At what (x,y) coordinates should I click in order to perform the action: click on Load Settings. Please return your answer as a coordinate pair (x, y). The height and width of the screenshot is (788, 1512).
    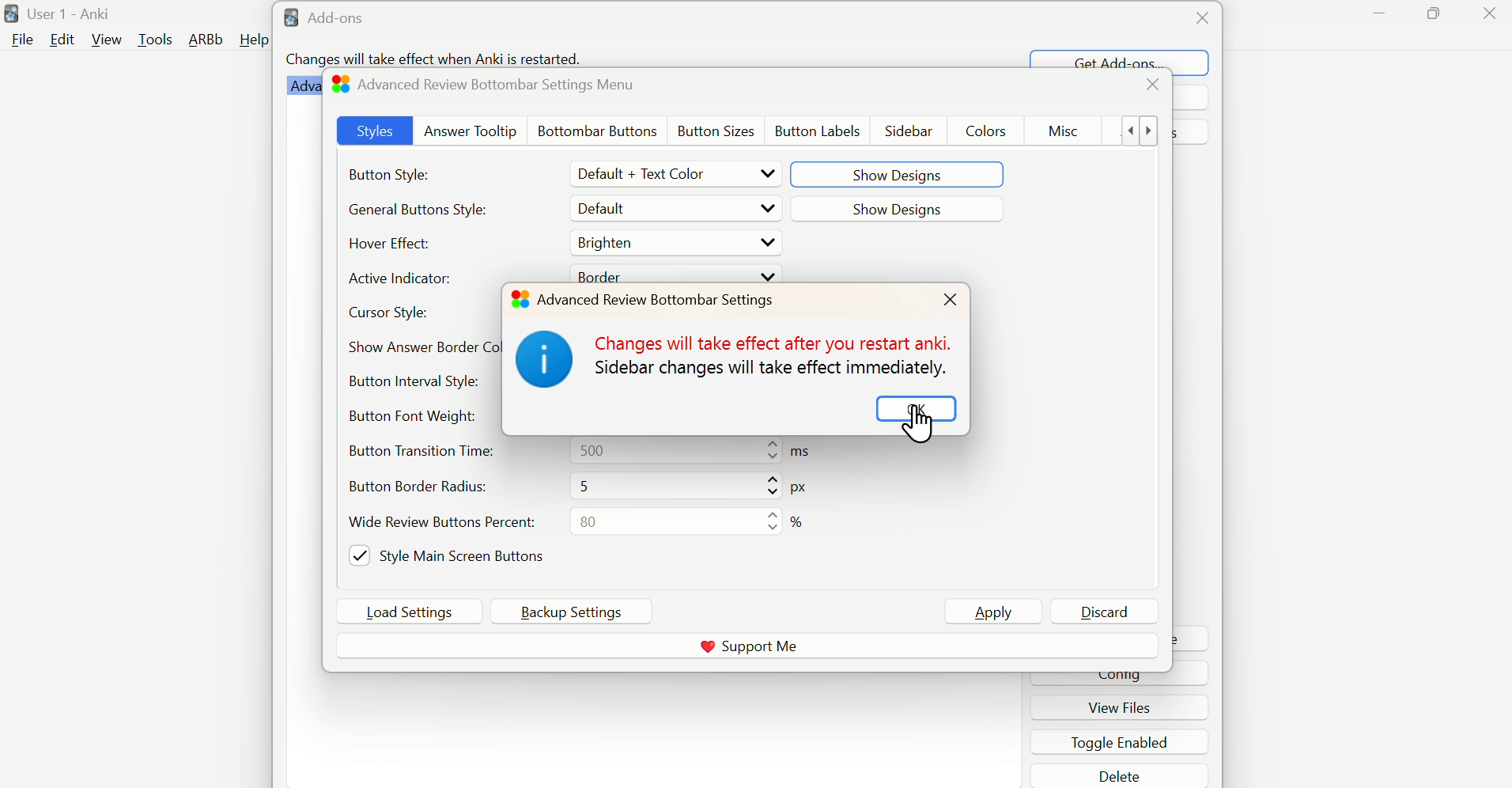
    Looking at the image, I should click on (418, 612).